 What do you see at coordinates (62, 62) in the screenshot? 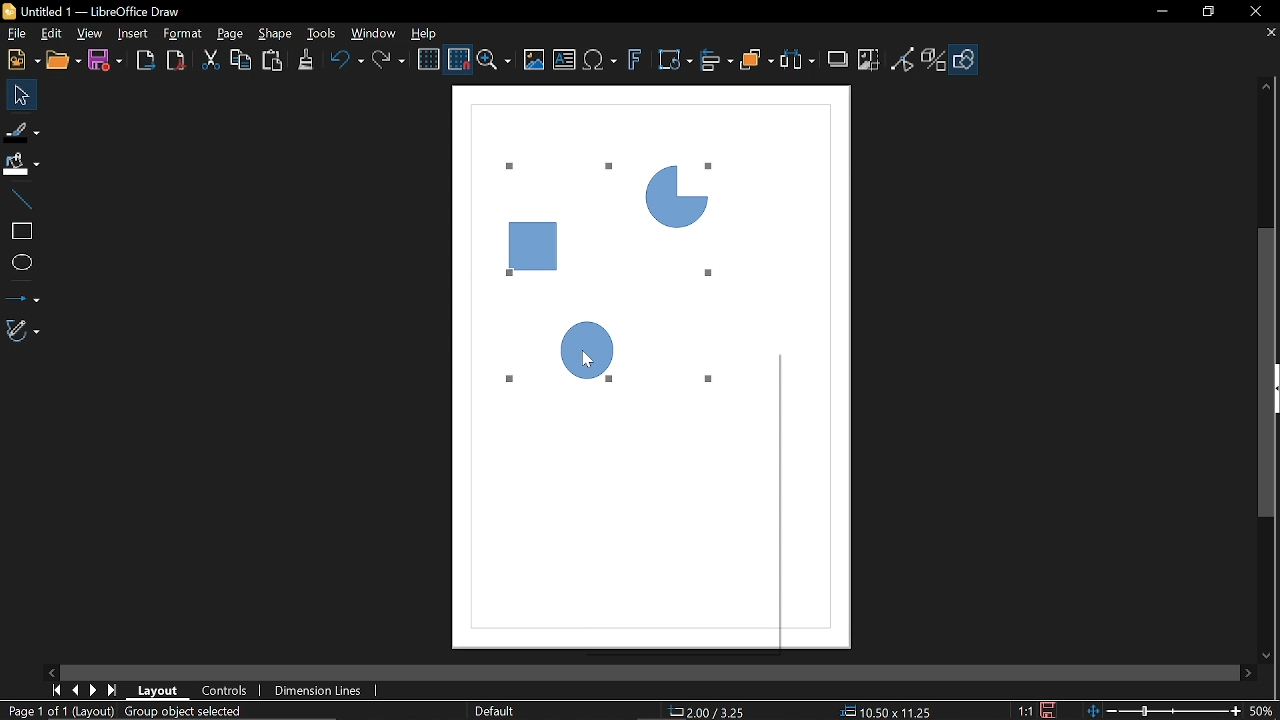
I see `Open` at bounding box center [62, 62].